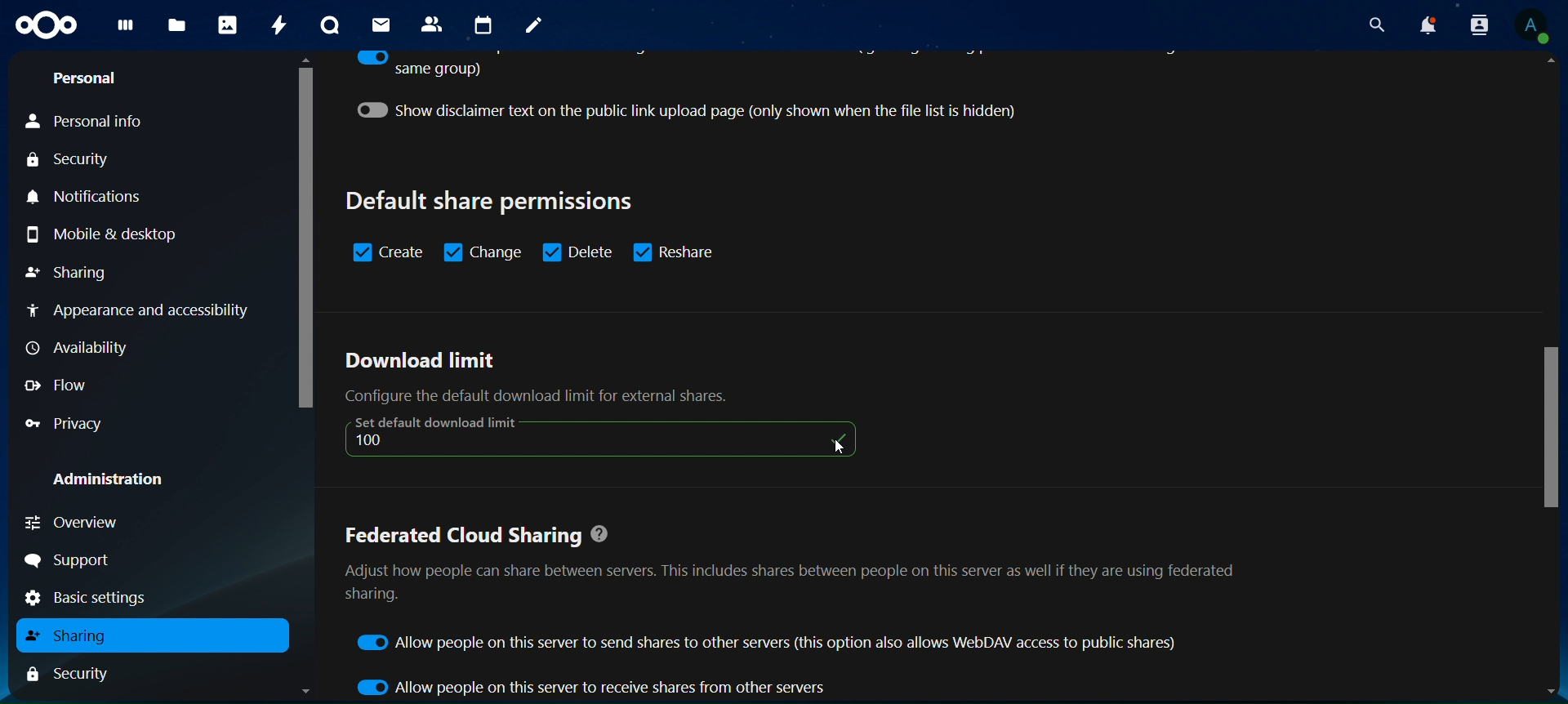 The height and width of the screenshot is (704, 1568). Describe the element at coordinates (74, 561) in the screenshot. I see `support` at that location.